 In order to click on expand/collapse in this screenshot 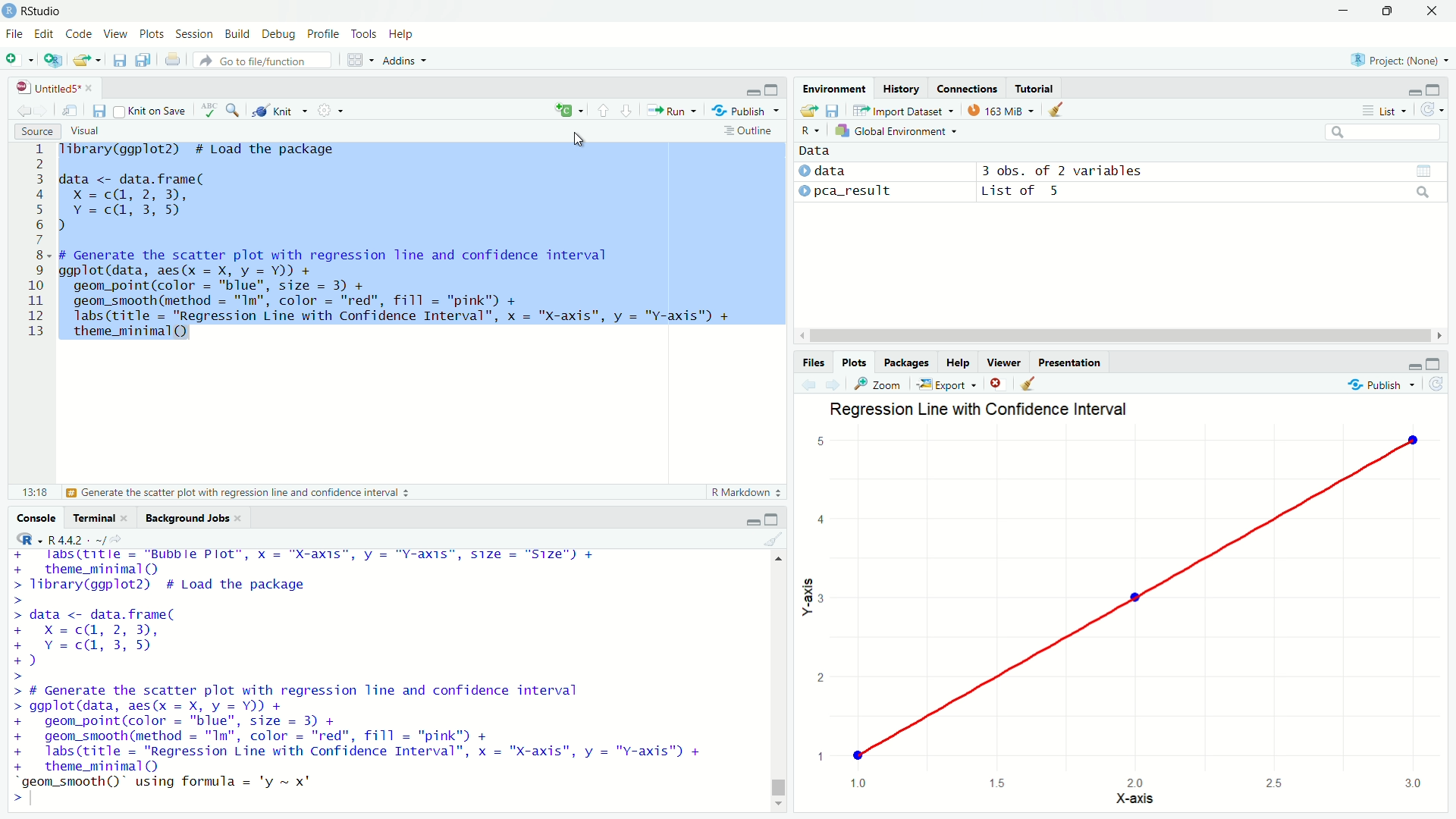, I will do `click(803, 171)`.